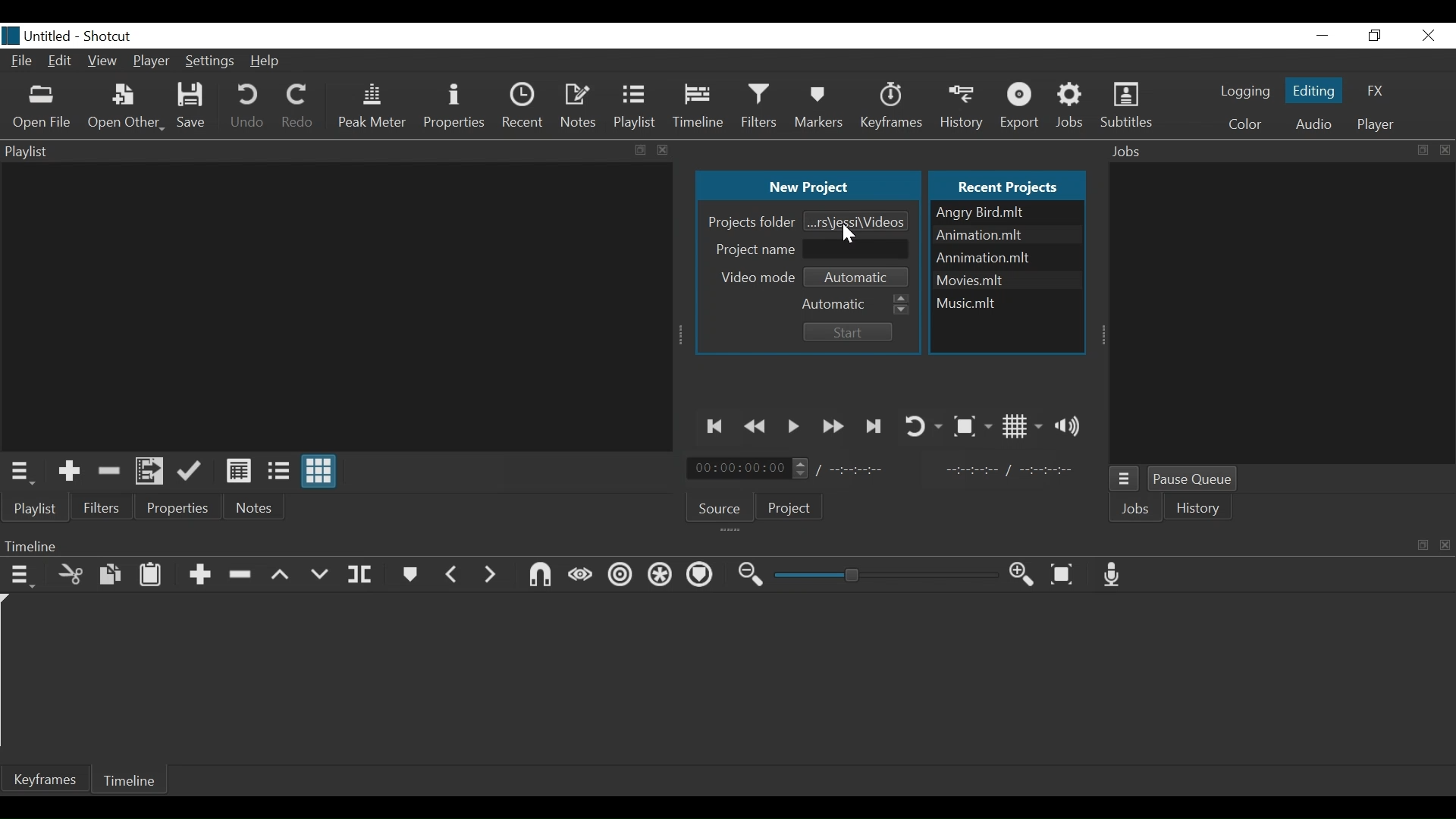 This screenshot has width=1456, height=819. I want to click on Add files to the playlist, so click(152, 472).